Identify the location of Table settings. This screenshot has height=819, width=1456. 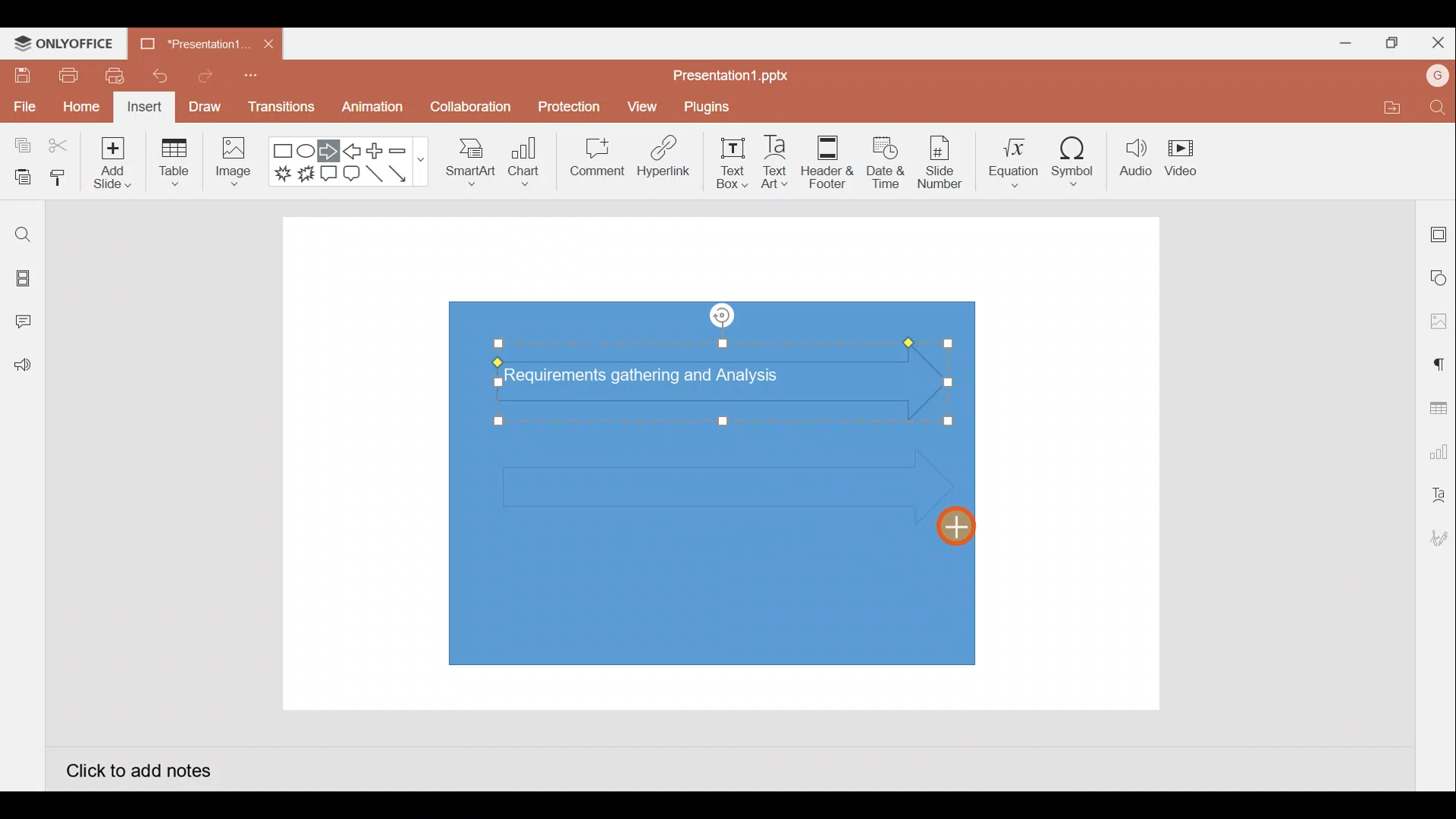
(1435, 406).